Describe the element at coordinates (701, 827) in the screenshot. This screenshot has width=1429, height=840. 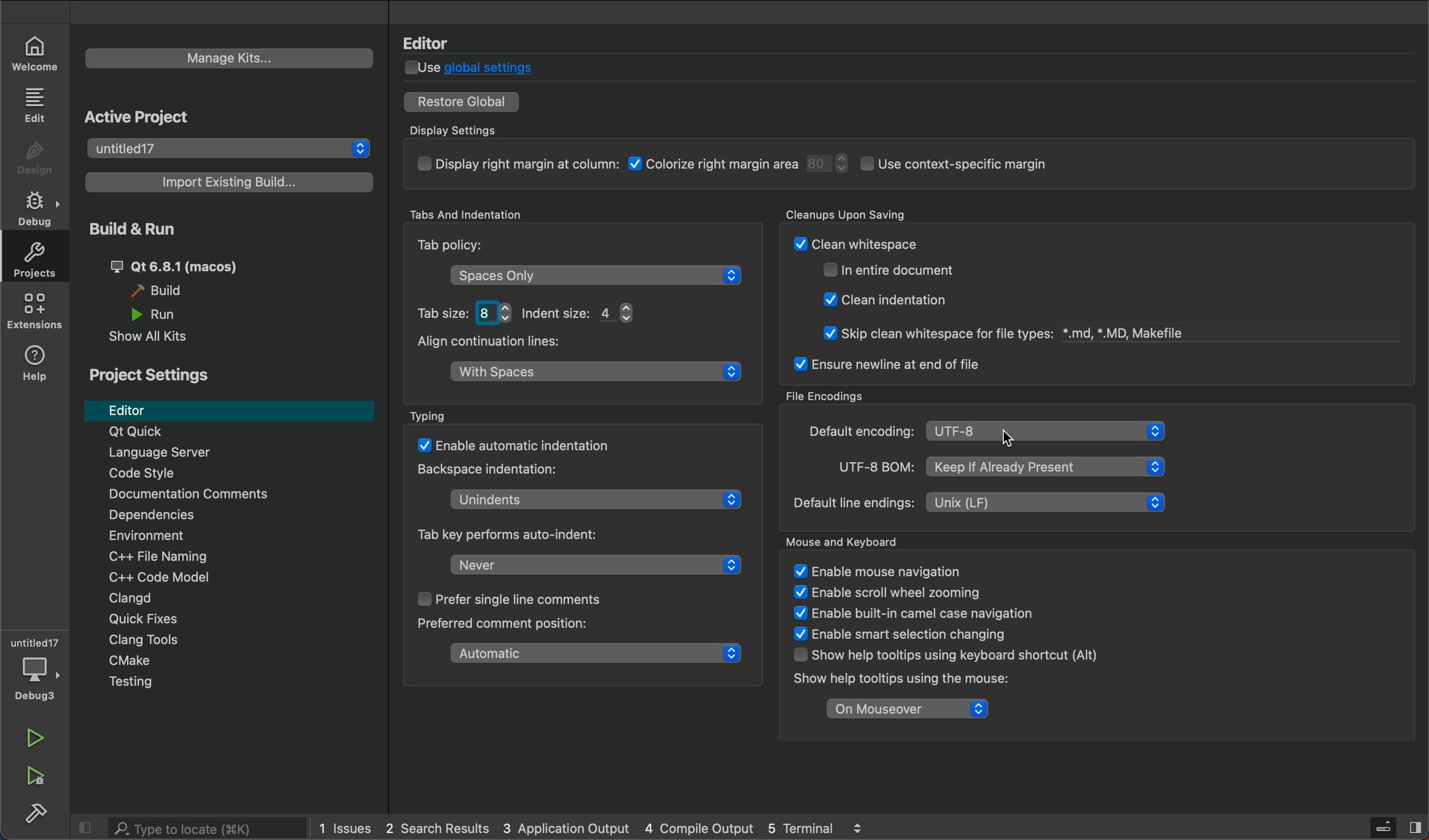
I see `compile output` at that location.